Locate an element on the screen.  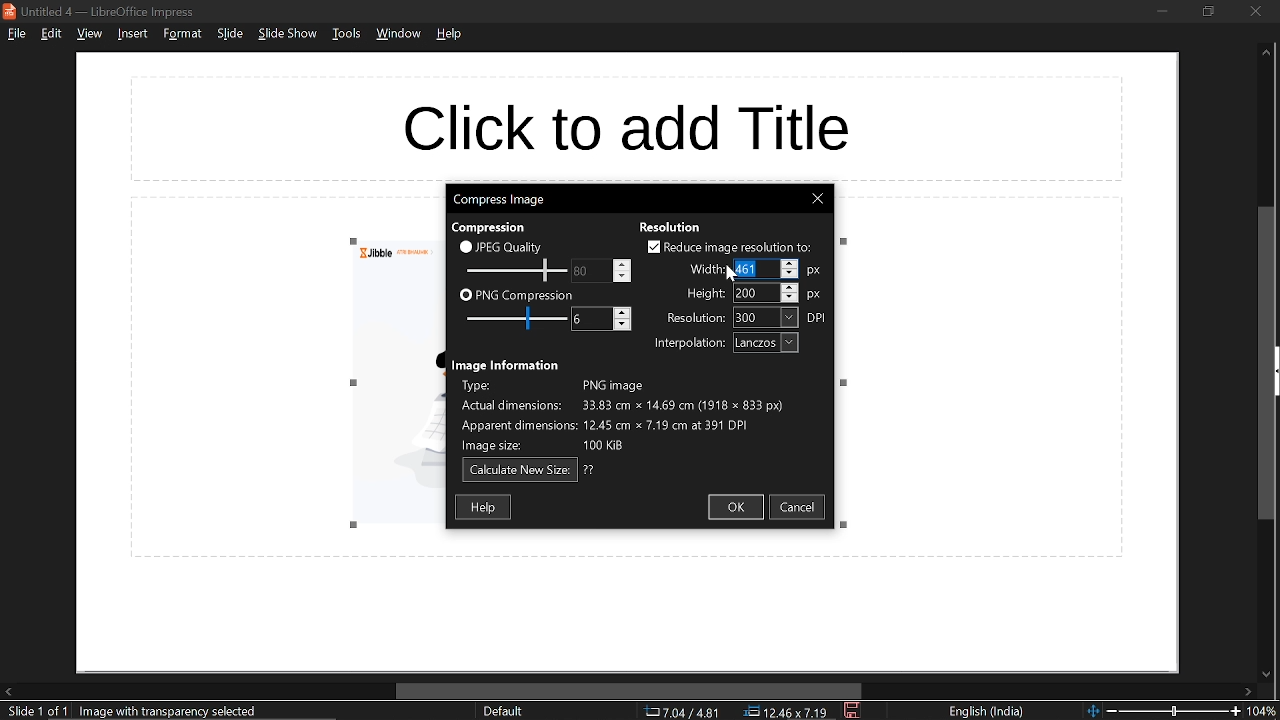
text is located at coordinates (695, 317).